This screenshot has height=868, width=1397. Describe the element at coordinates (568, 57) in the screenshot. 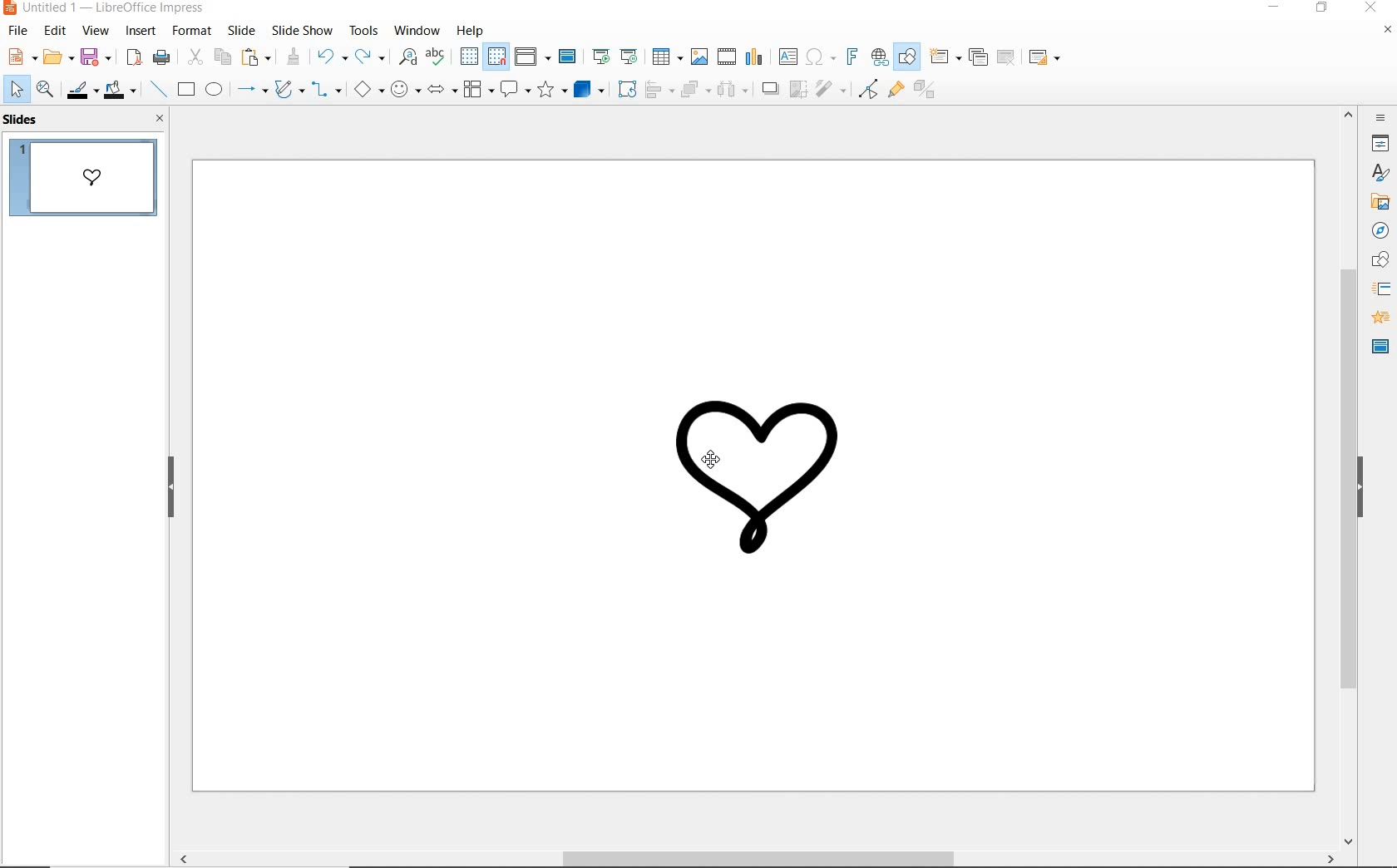

I see `master slide` at that location.